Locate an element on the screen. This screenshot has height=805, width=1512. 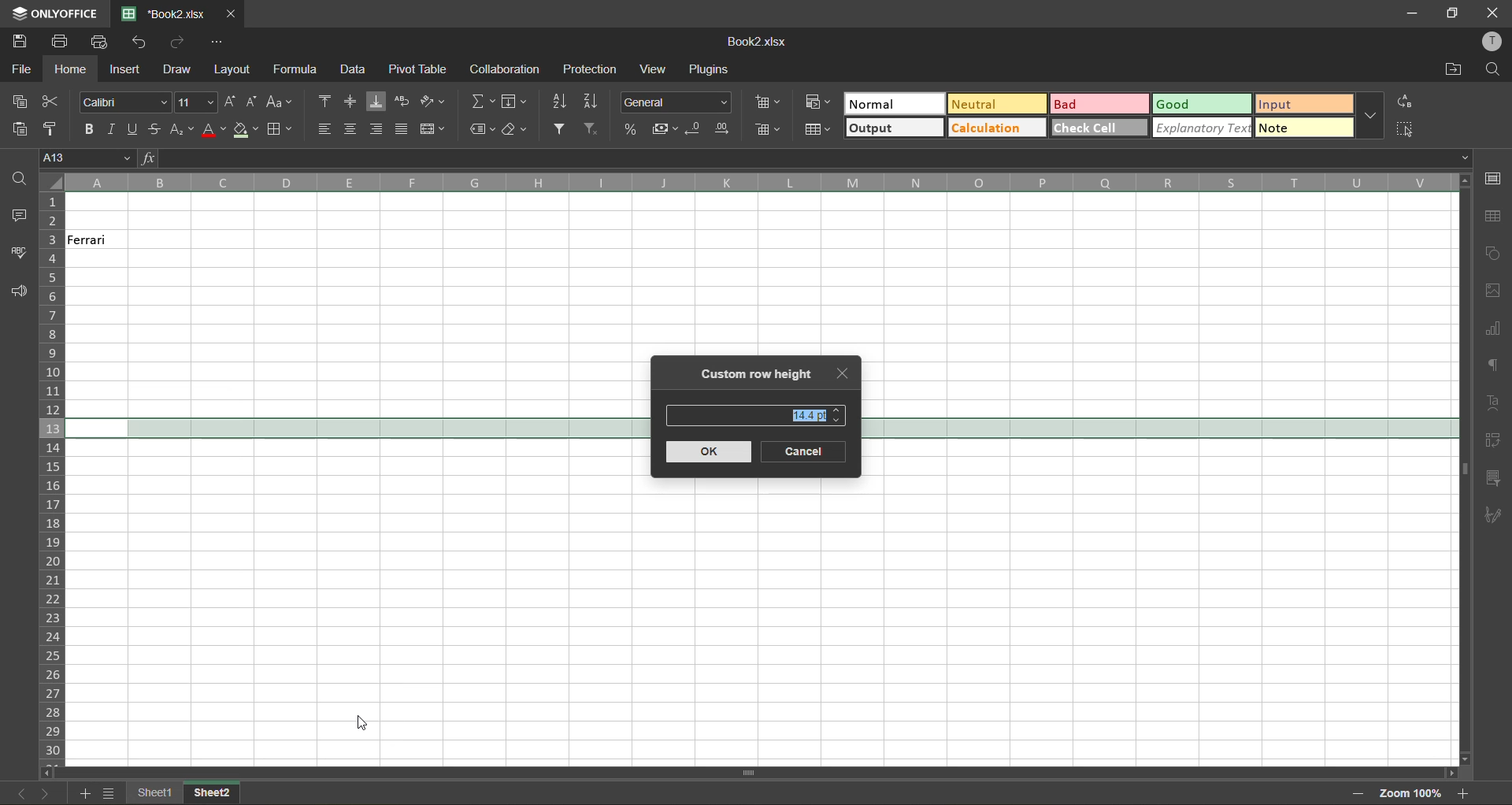
protection is located at coordinates (593, 70).